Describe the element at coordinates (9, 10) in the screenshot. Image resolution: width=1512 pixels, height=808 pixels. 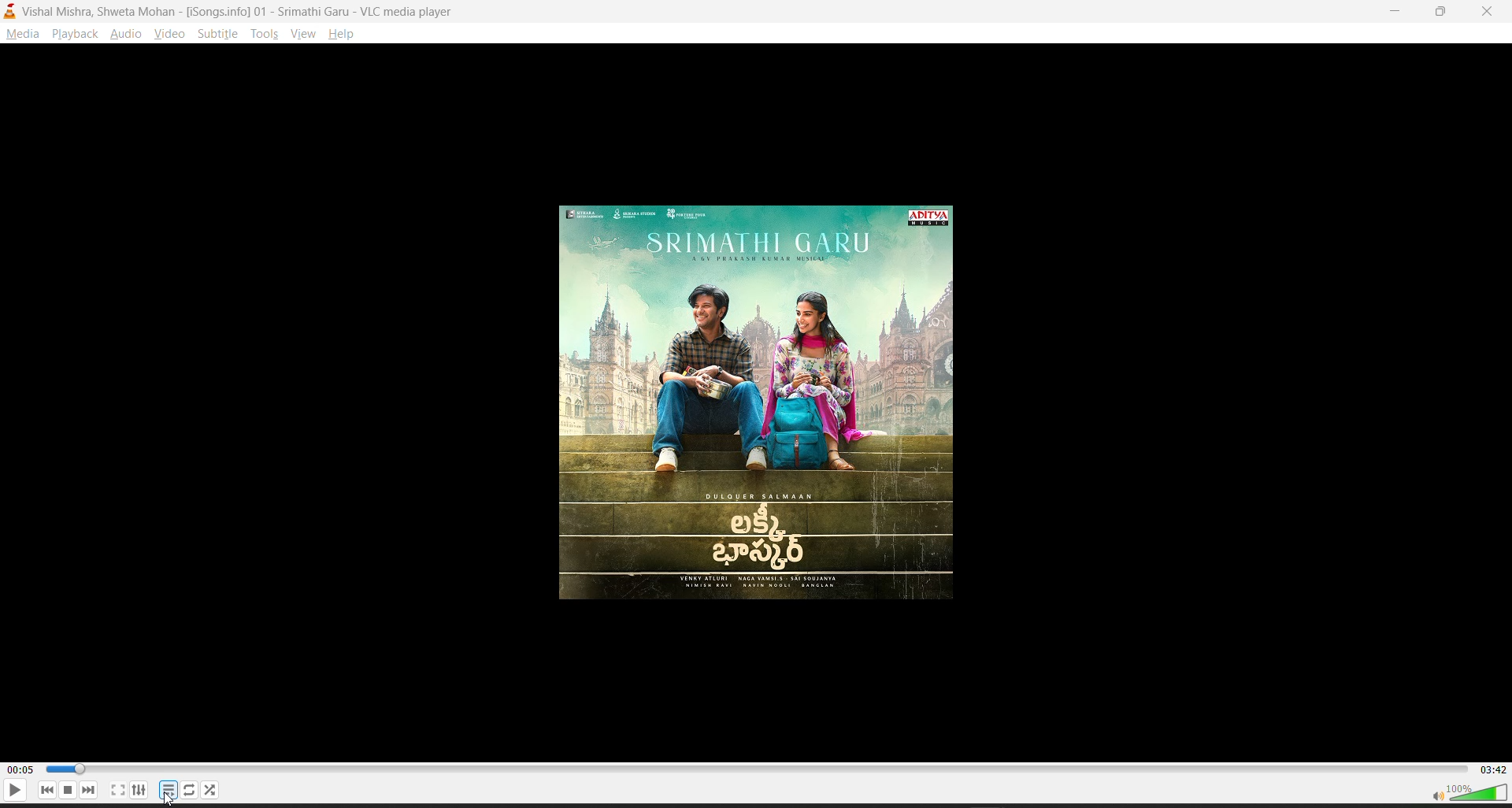
I see `vlc media player logo` at that location.